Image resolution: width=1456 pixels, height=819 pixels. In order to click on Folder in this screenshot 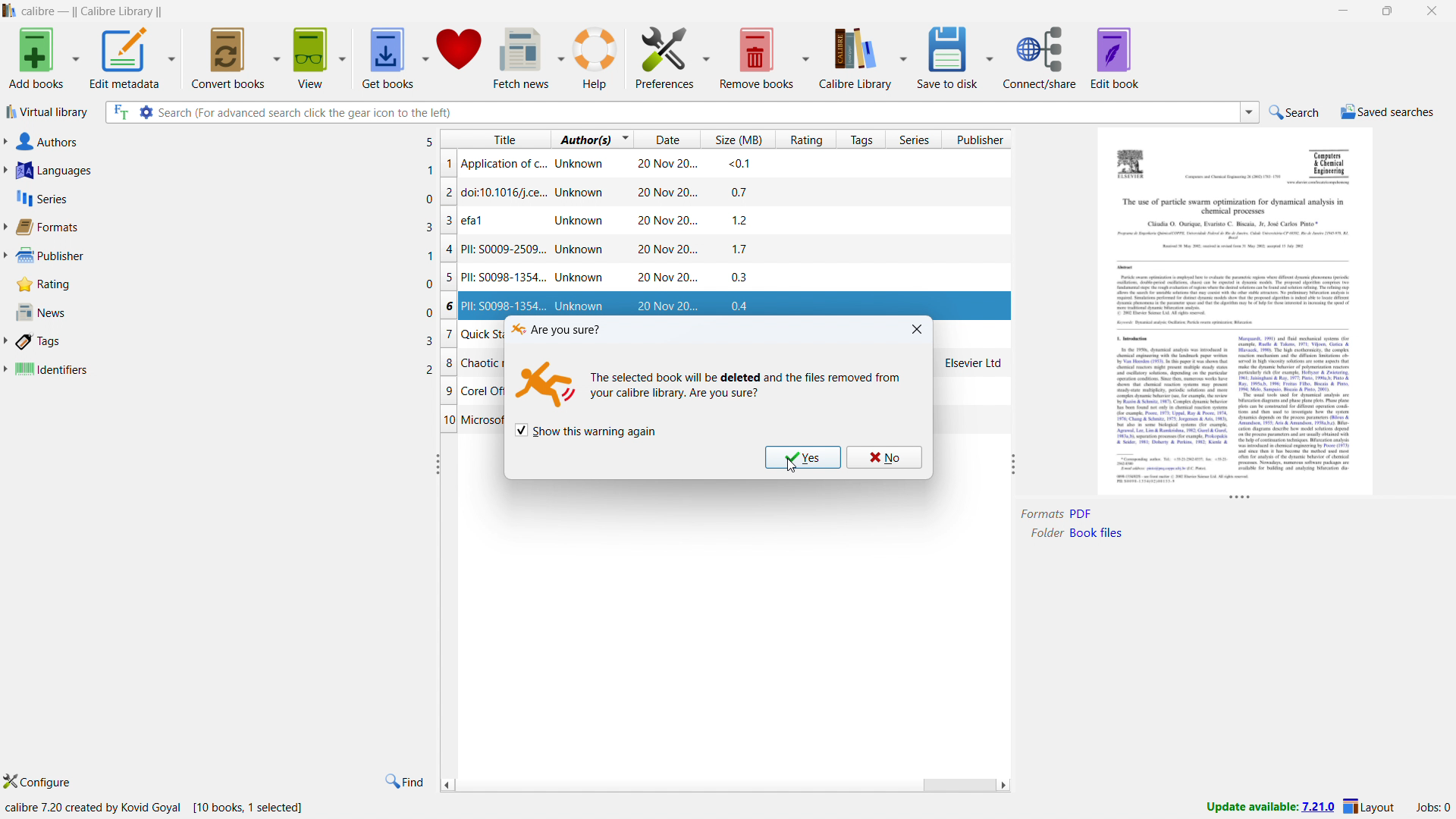, I will do `click(1044, 533)`.